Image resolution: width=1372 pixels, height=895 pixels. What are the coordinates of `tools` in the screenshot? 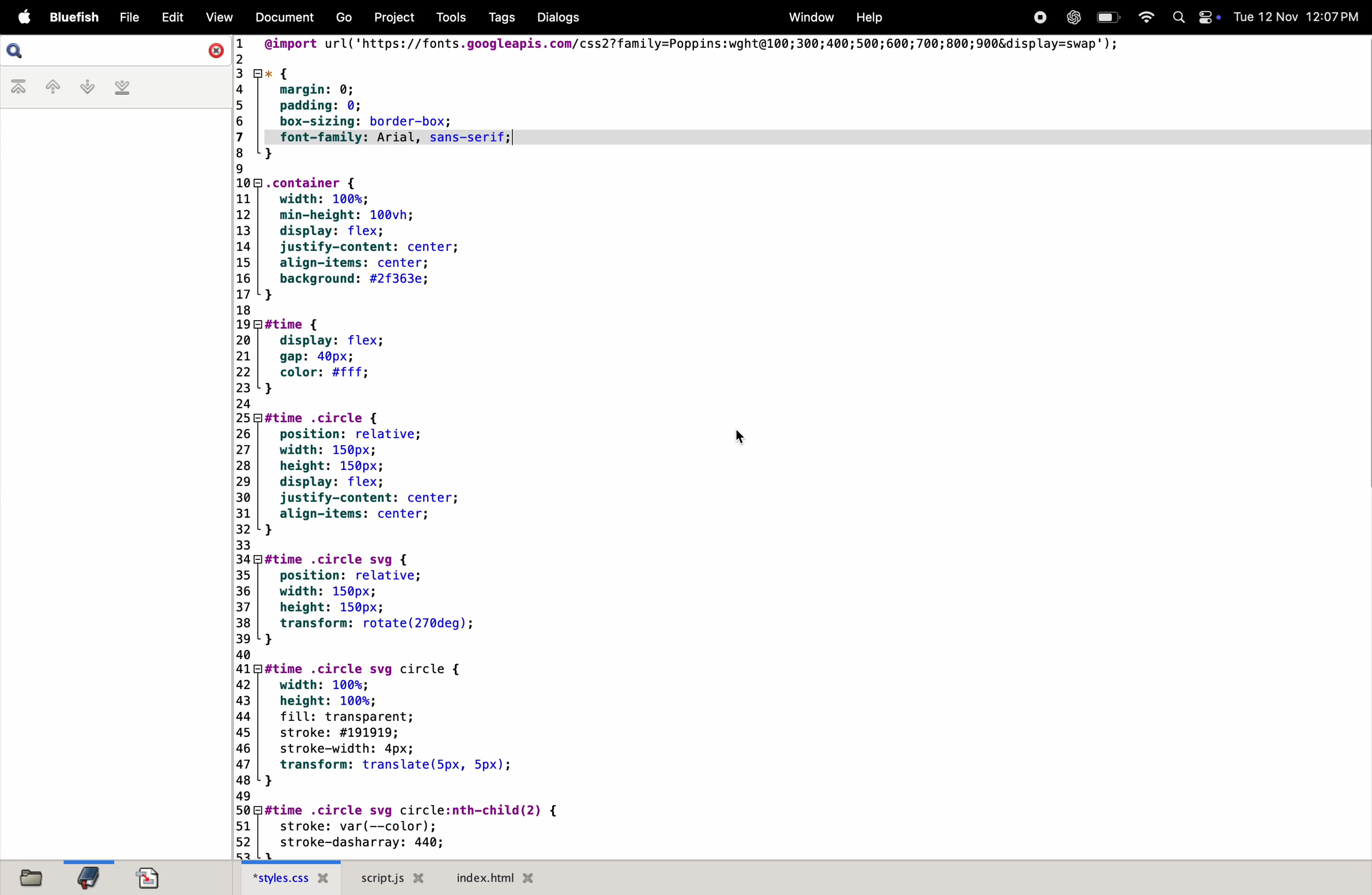 It's located at (446, 17).